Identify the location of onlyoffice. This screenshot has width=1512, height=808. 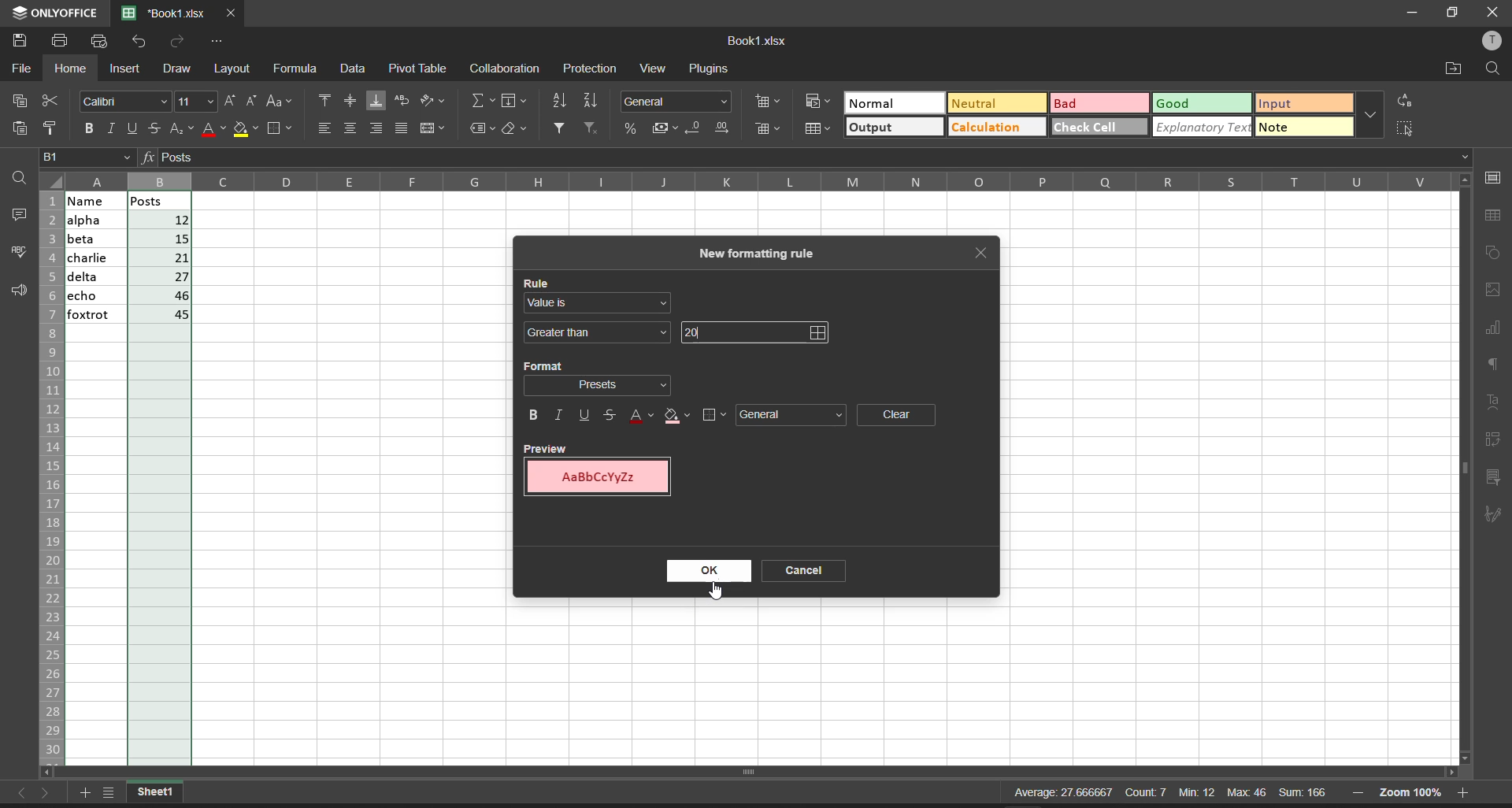
(58, 14).